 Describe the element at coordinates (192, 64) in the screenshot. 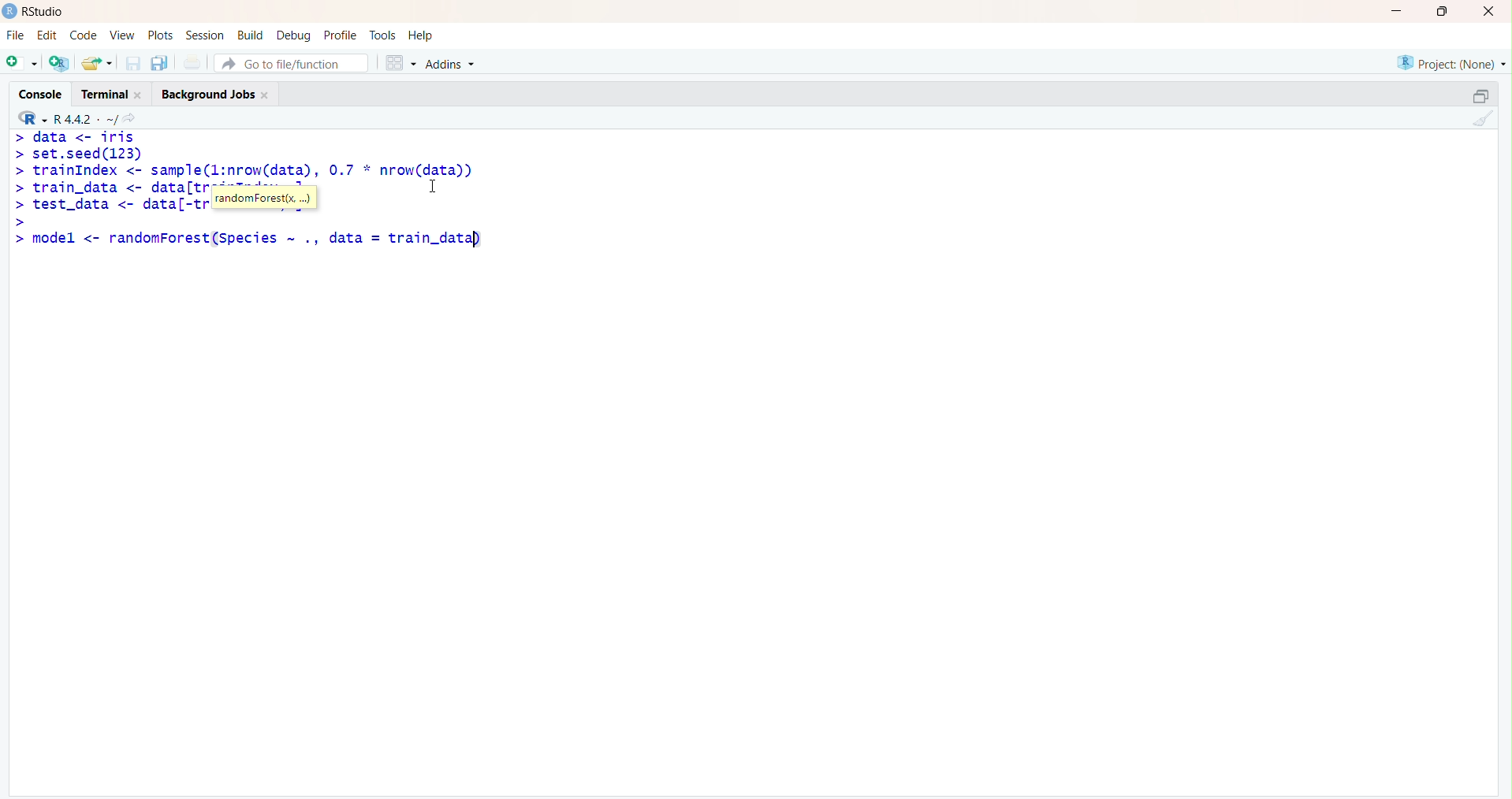

I see `Print the current file` at that location.